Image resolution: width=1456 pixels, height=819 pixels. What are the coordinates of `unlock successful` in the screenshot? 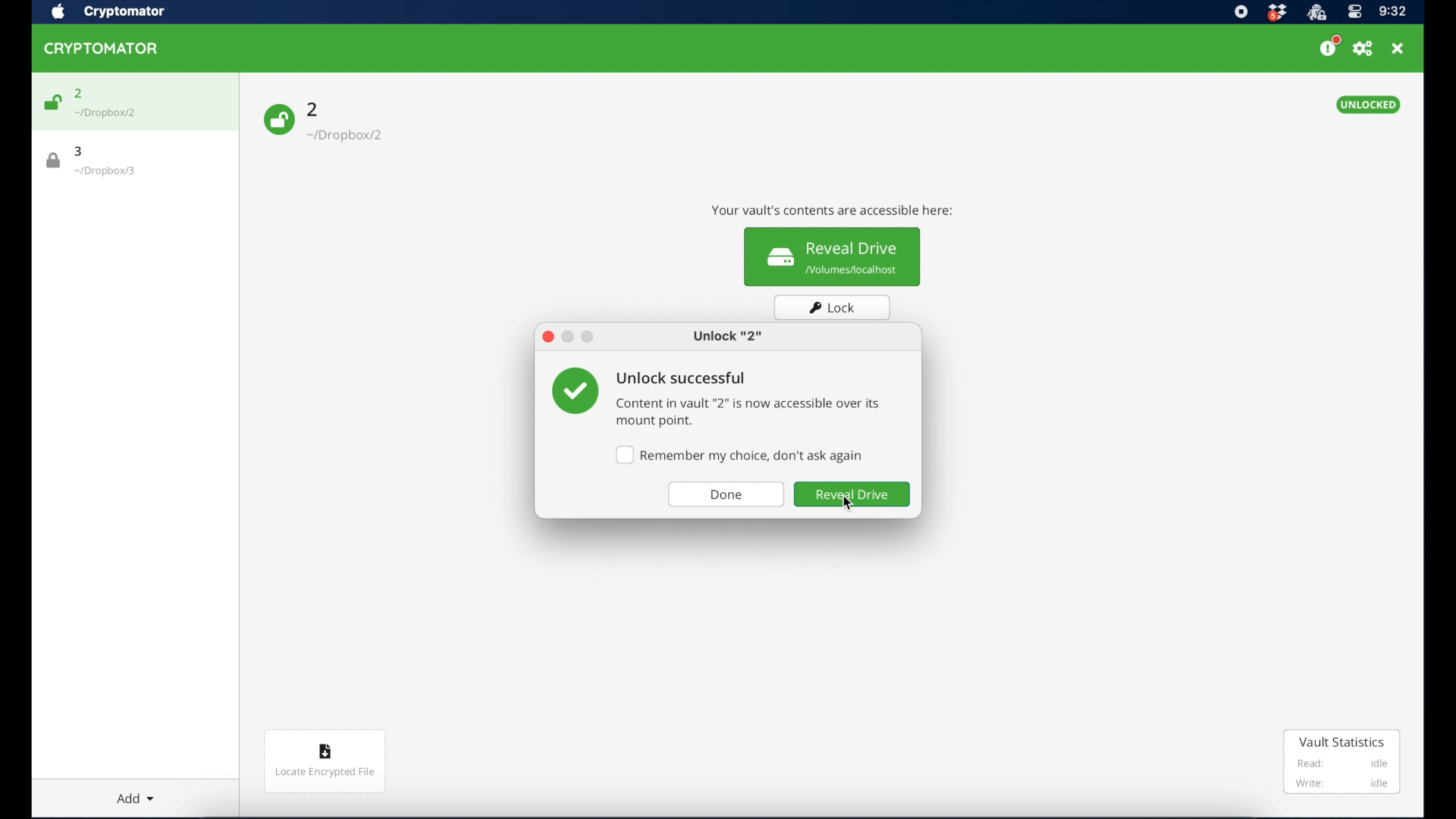 It's located at (680, 378).